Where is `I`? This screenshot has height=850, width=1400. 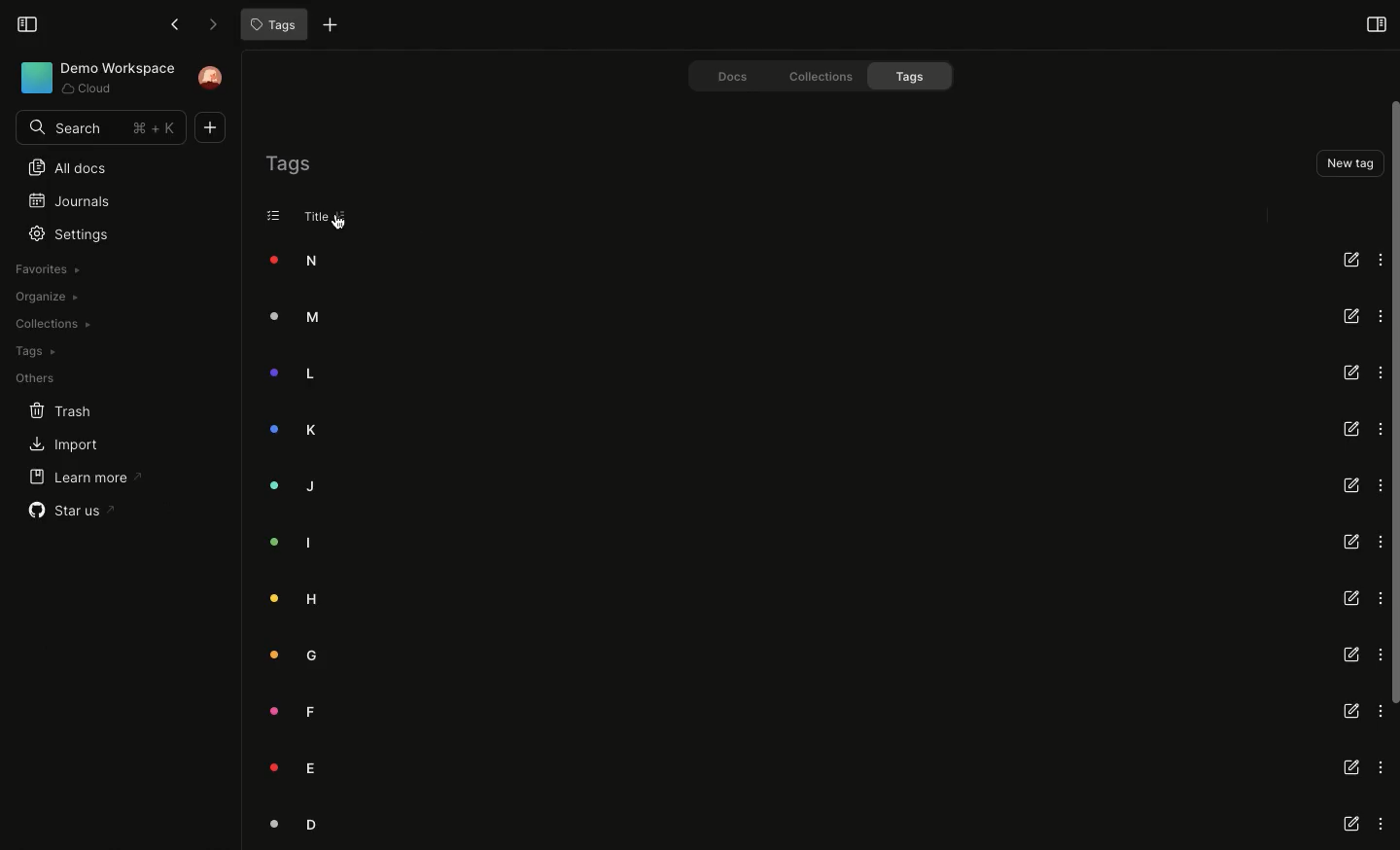
I is located at coordinates (280, 544).